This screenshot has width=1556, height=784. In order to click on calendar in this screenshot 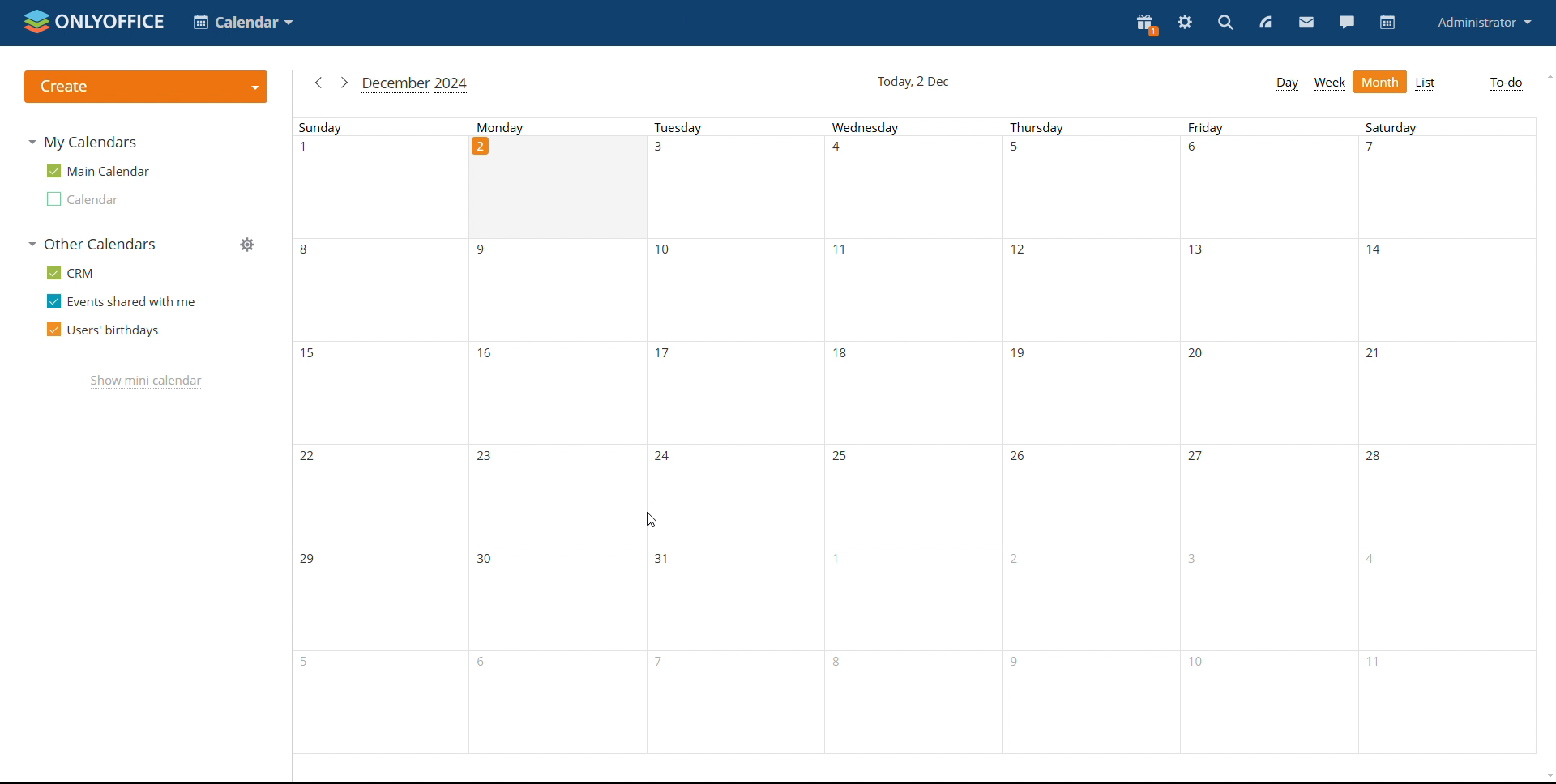, I will do `click(1387, 23)`.